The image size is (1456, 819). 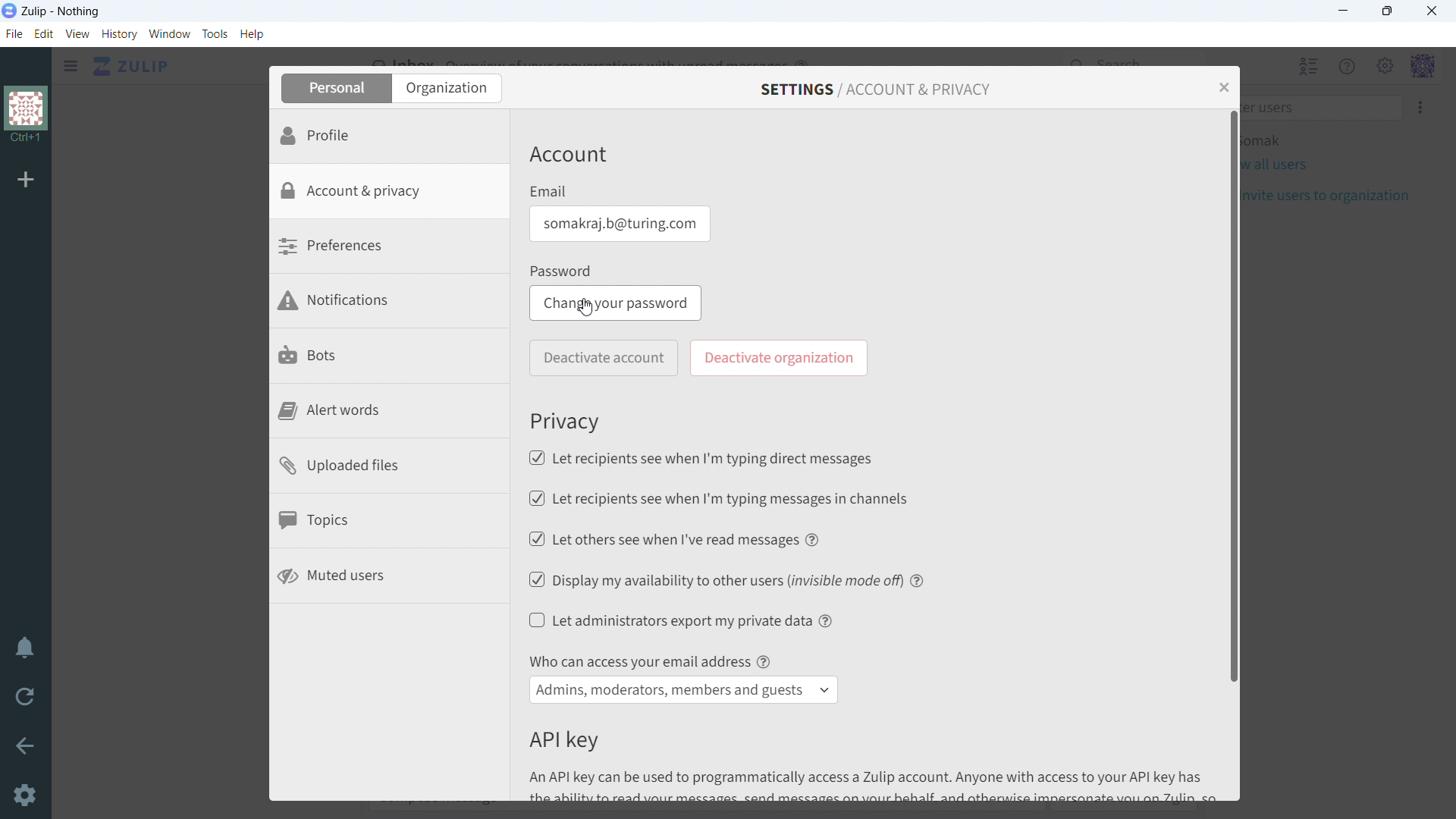 What do you see at coordinates (618, 224) in the screenshot?
I see `email` at bounding box center [618, 224].